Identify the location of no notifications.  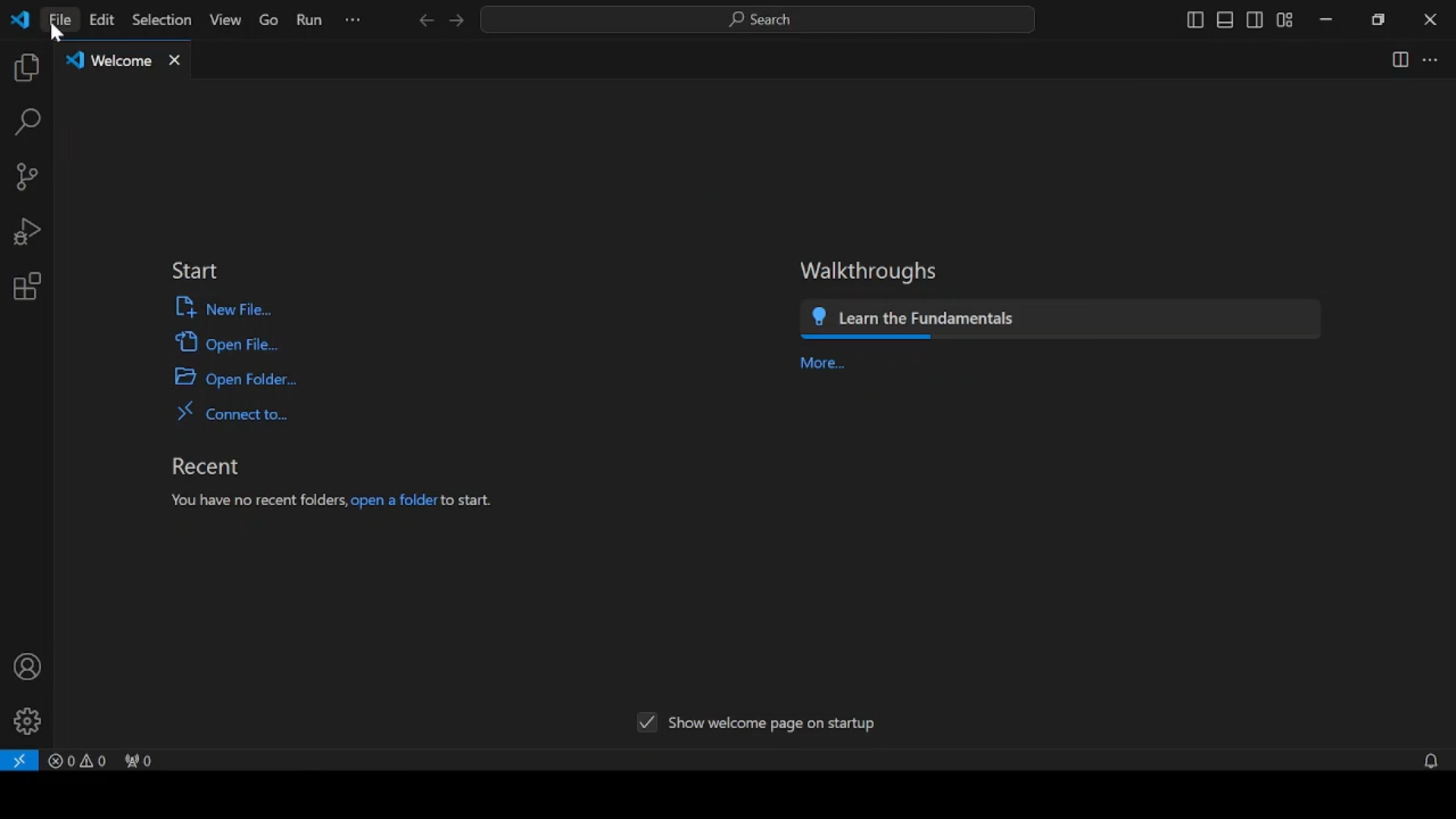
(1428, 761).